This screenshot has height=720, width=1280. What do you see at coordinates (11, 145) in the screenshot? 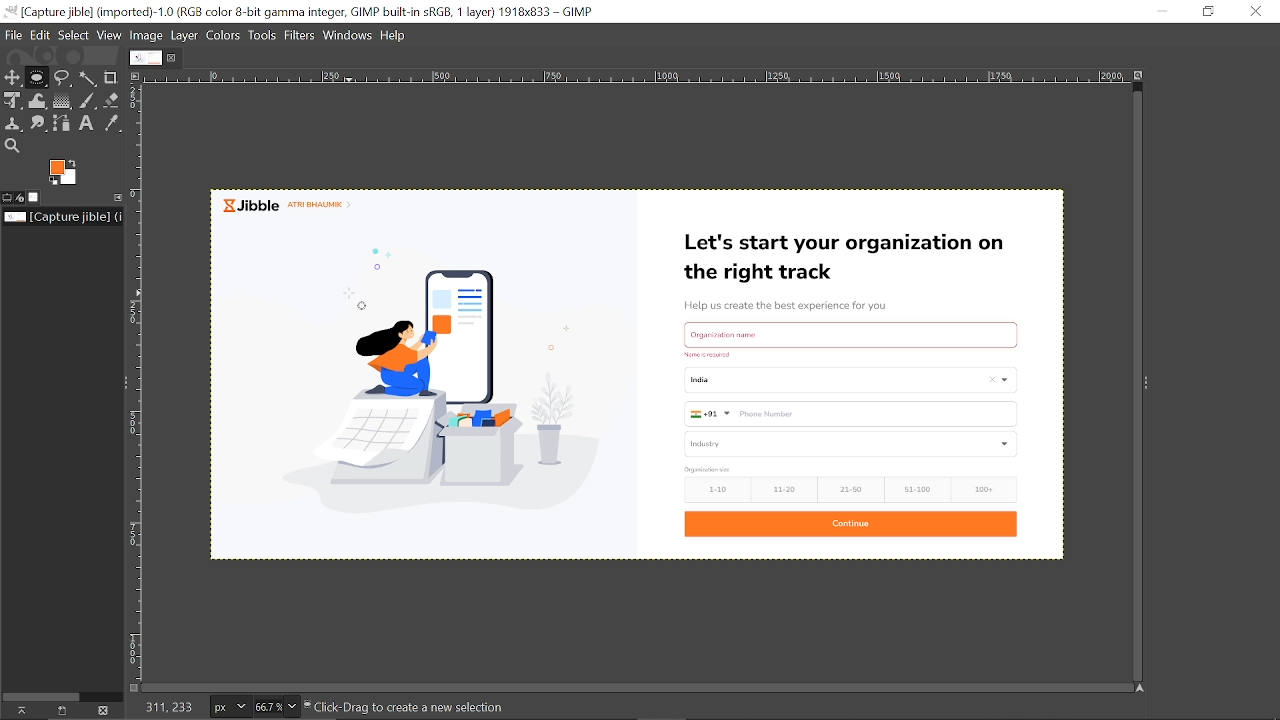
I see `Zoom tool` at bounding box center [11, 145].